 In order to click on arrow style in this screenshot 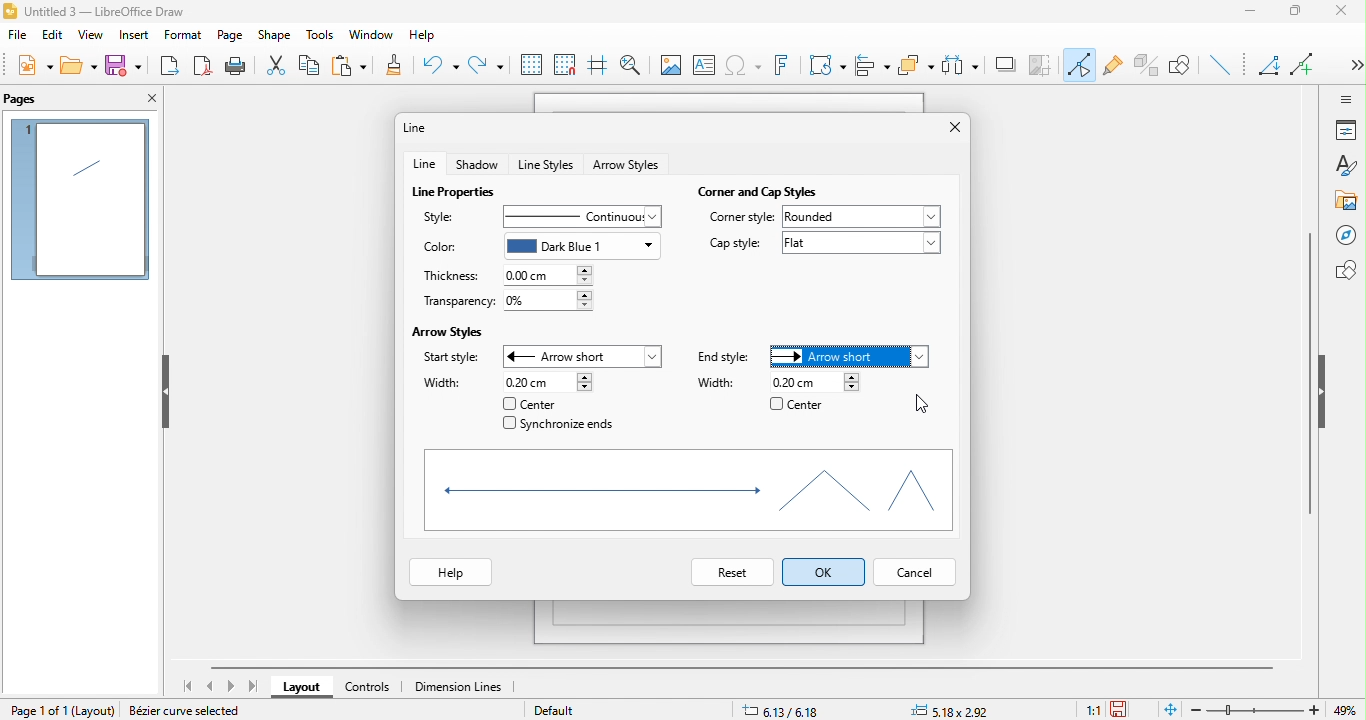, I will do `click(853, 356)`.